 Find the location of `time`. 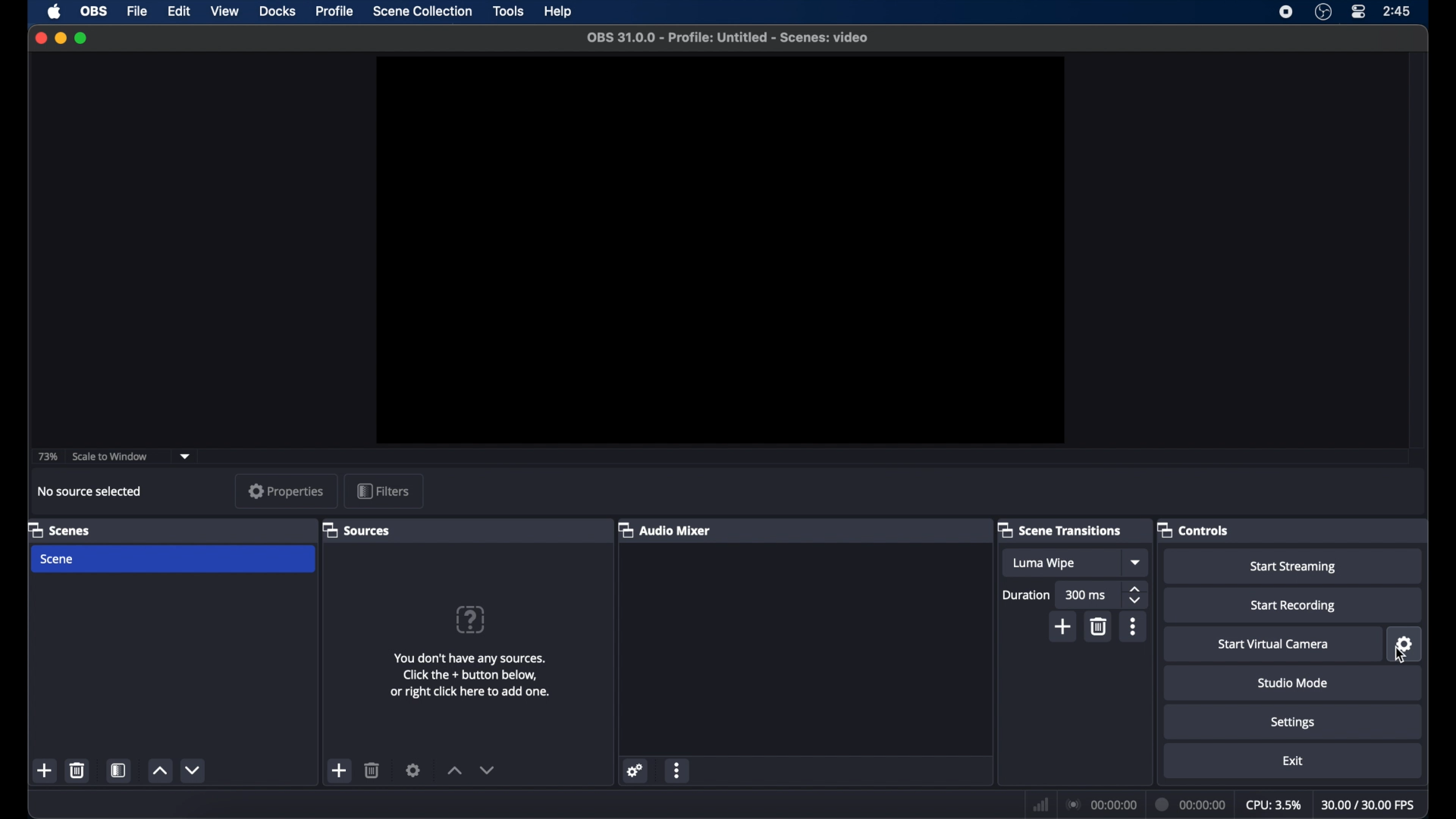

time is located at coordinates (1397, 11).